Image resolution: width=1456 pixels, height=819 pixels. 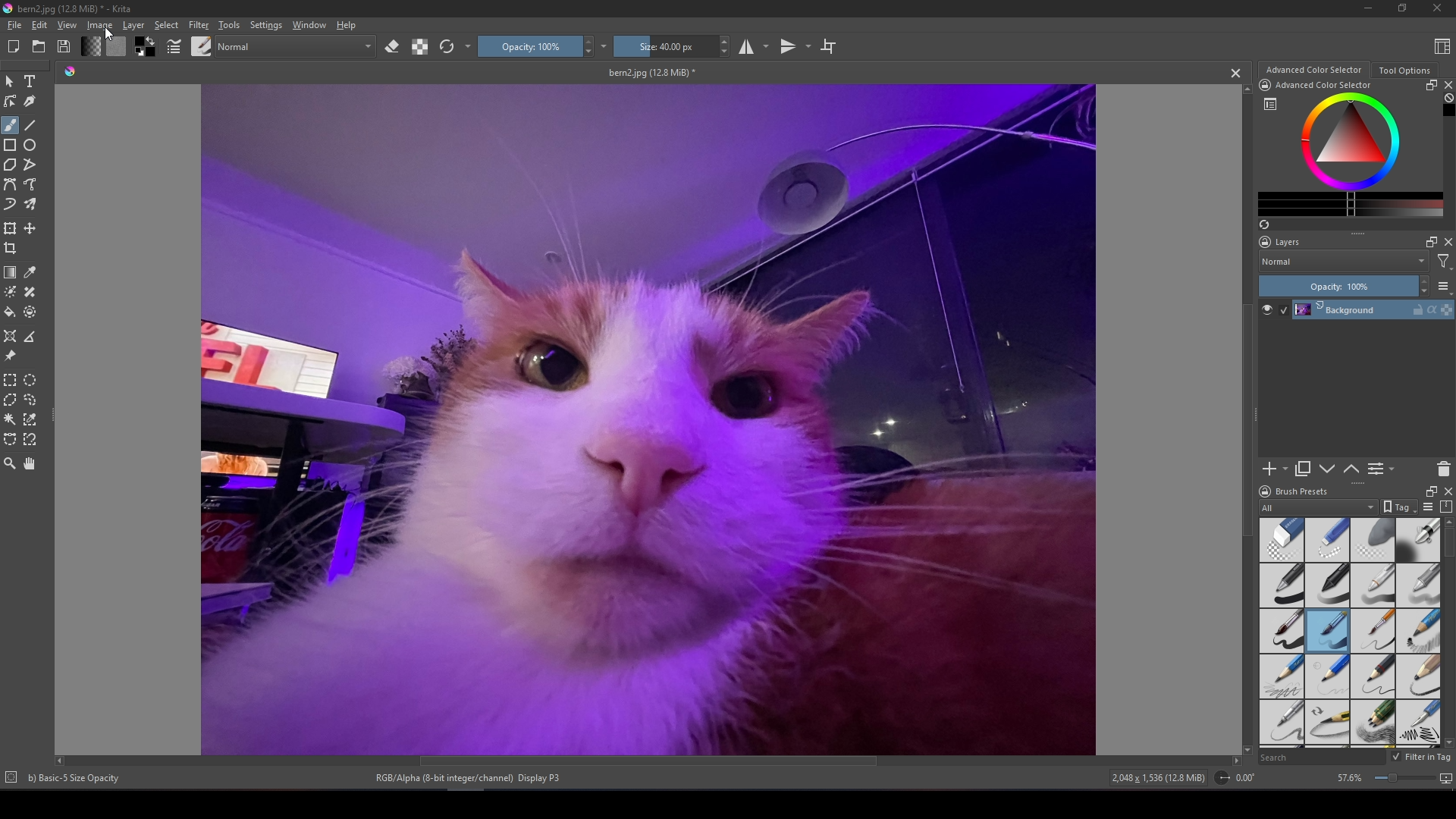 What do you see at coordinates (309, 26) in the screenshot?
I see `Window` at bounding box center [309, 26].